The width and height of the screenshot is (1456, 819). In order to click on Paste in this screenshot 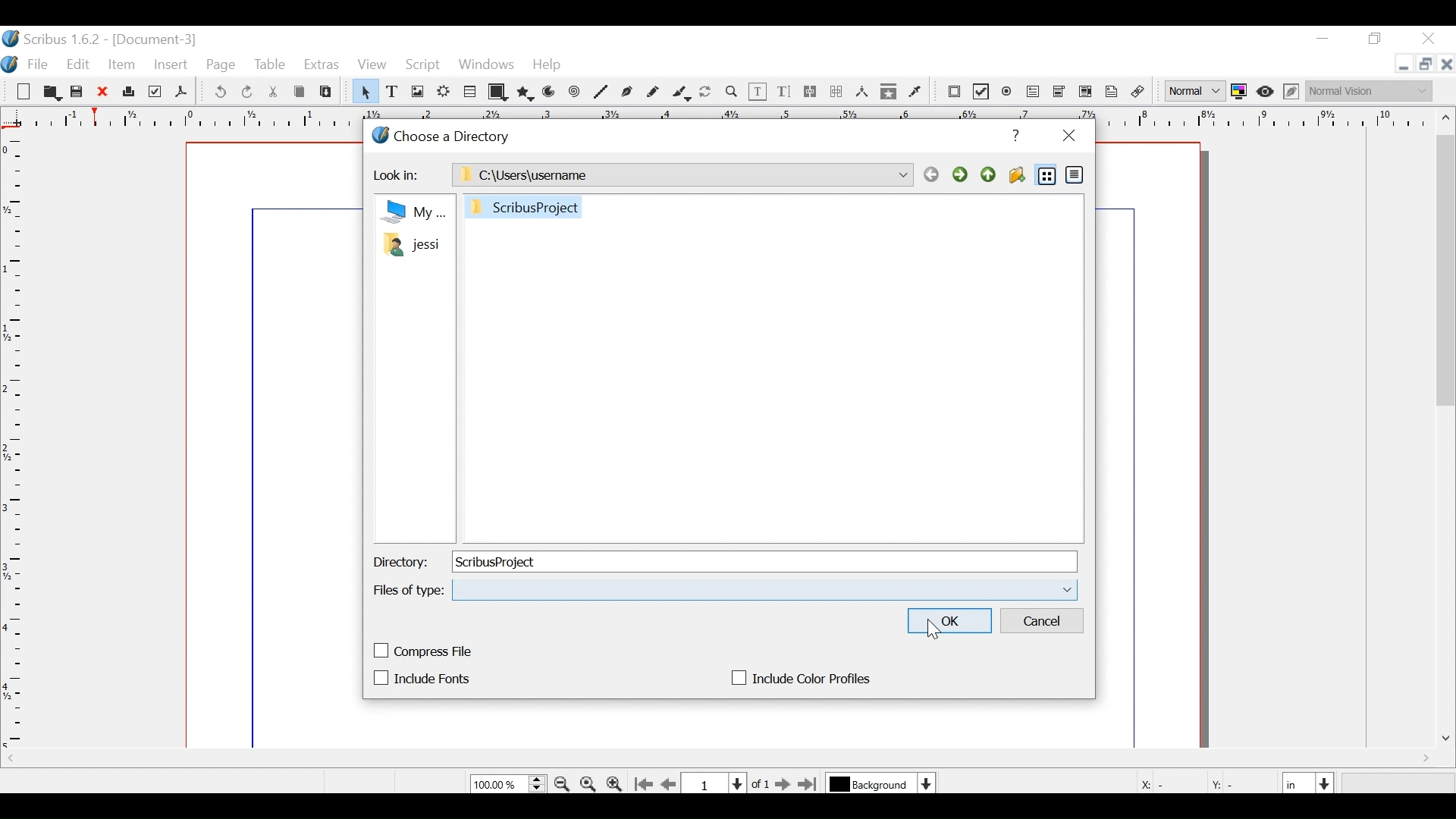, I will do `click(325, 93)`.